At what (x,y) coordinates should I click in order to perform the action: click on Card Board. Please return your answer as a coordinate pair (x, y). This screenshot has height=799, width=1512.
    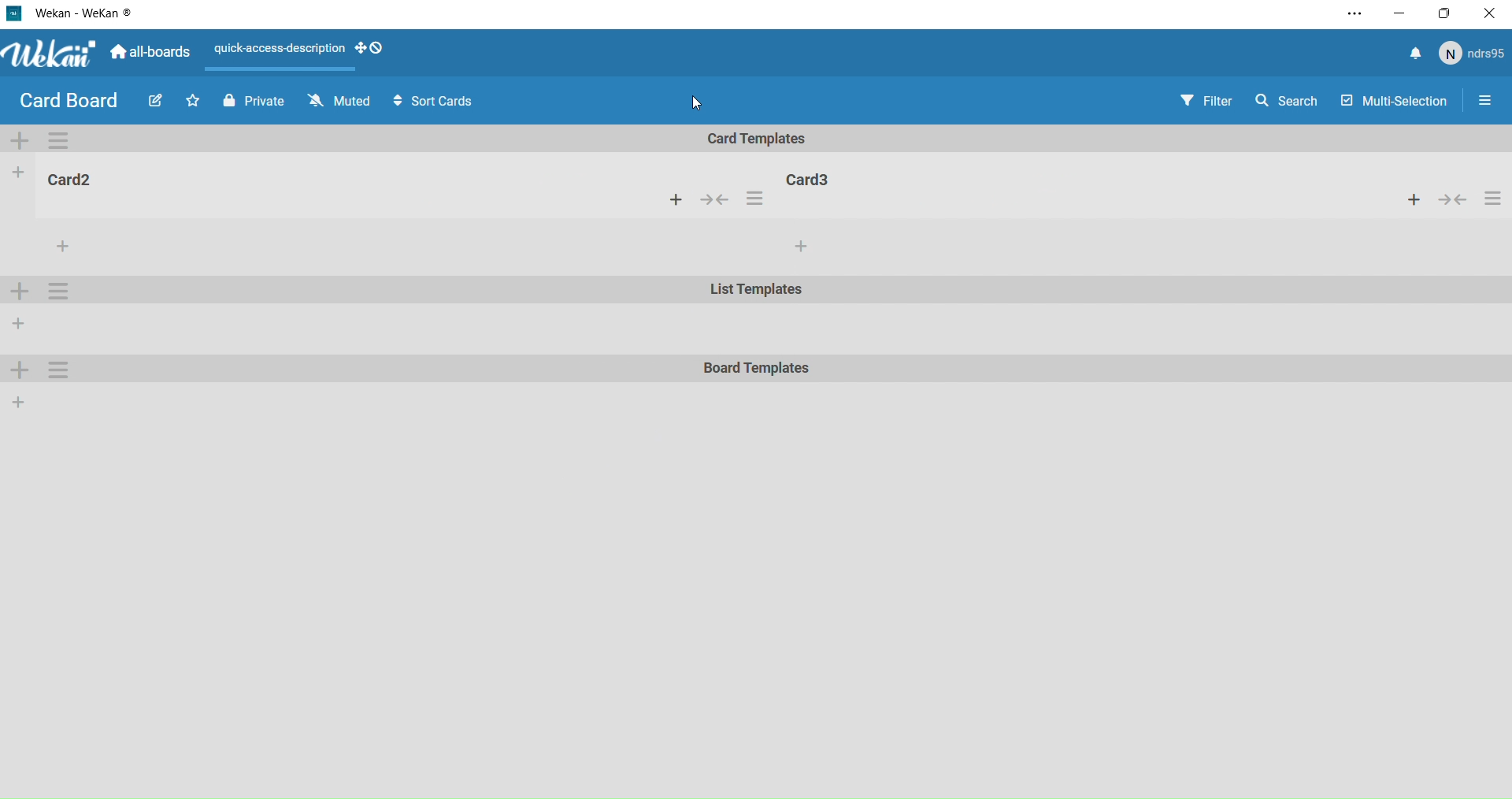
    Looking at the image, I should click on (68, 102).